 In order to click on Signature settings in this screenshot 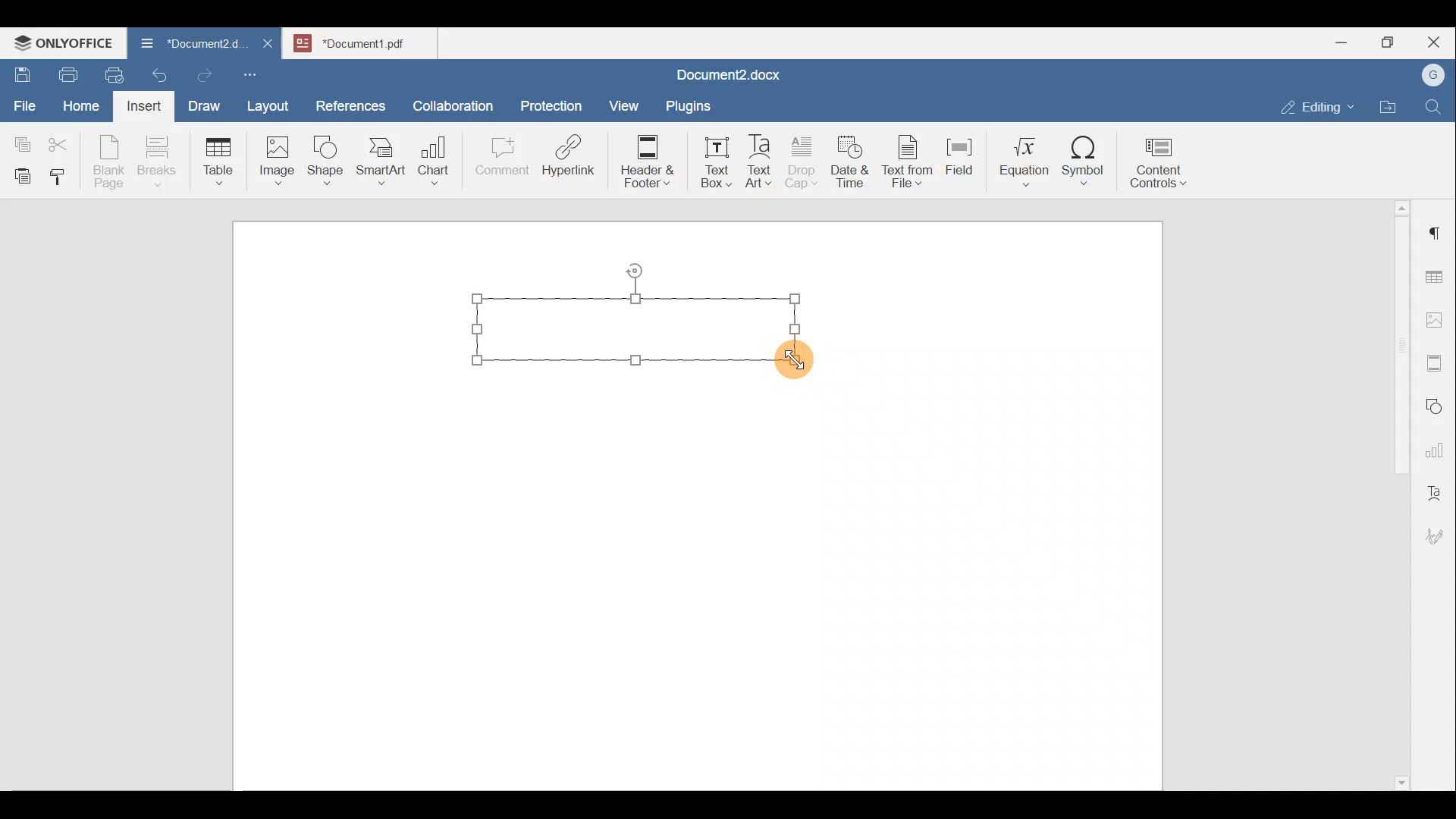, I will do `click(1439, 531)`.